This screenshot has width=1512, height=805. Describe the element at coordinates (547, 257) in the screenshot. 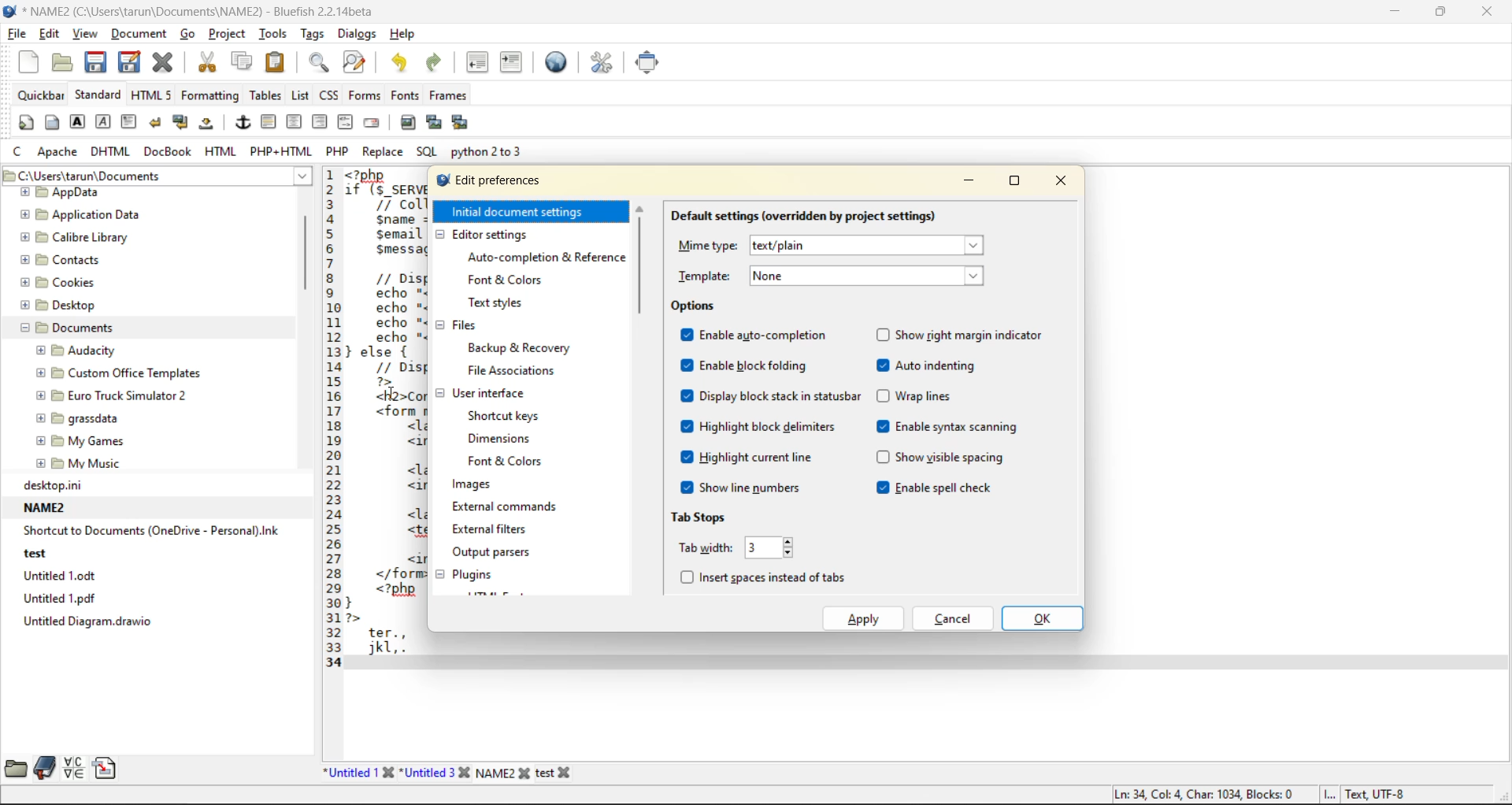

I see `auto completion and reference` at that location.